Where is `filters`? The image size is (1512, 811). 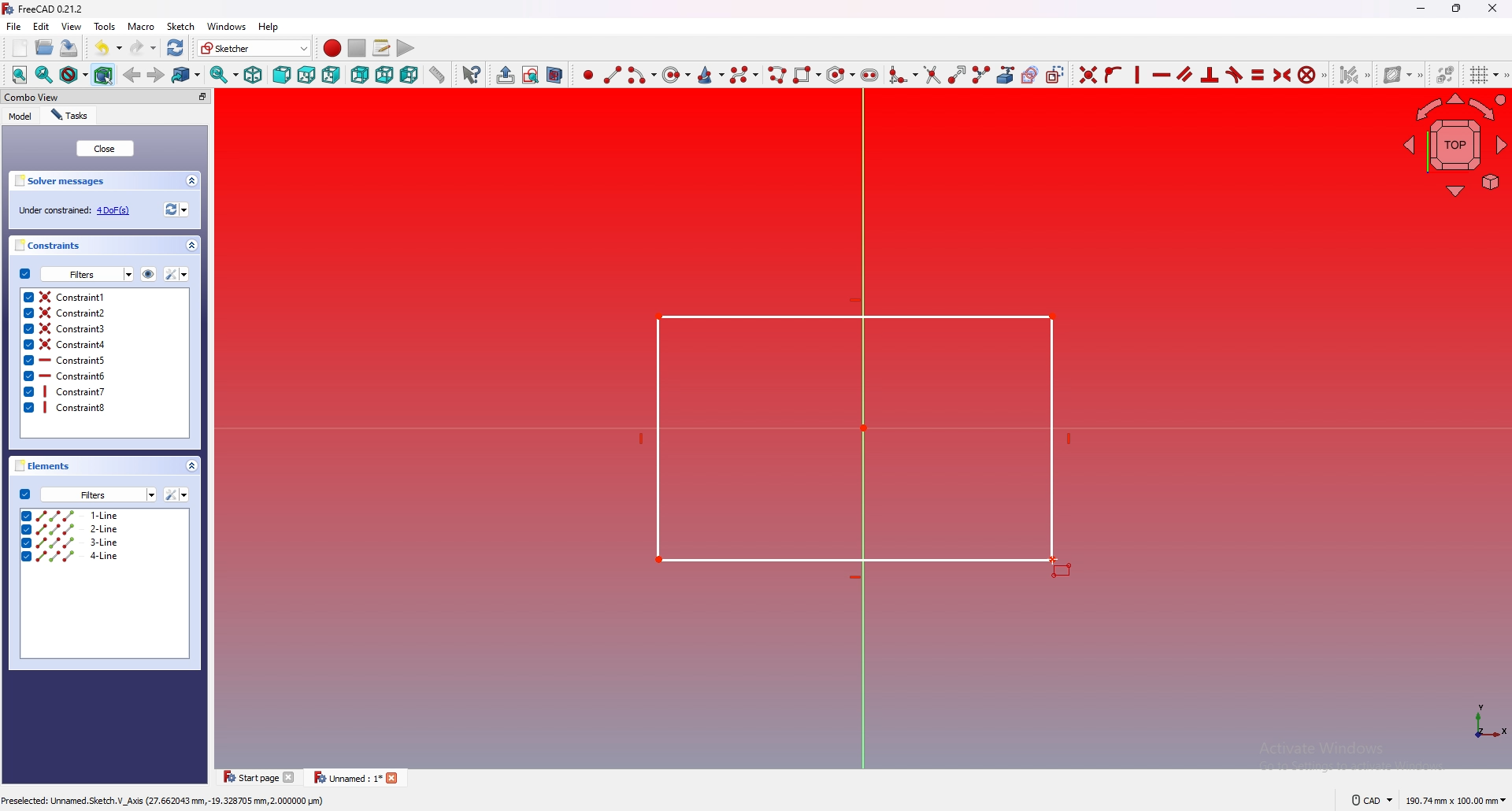
filters is located at coordinates (76, 273).